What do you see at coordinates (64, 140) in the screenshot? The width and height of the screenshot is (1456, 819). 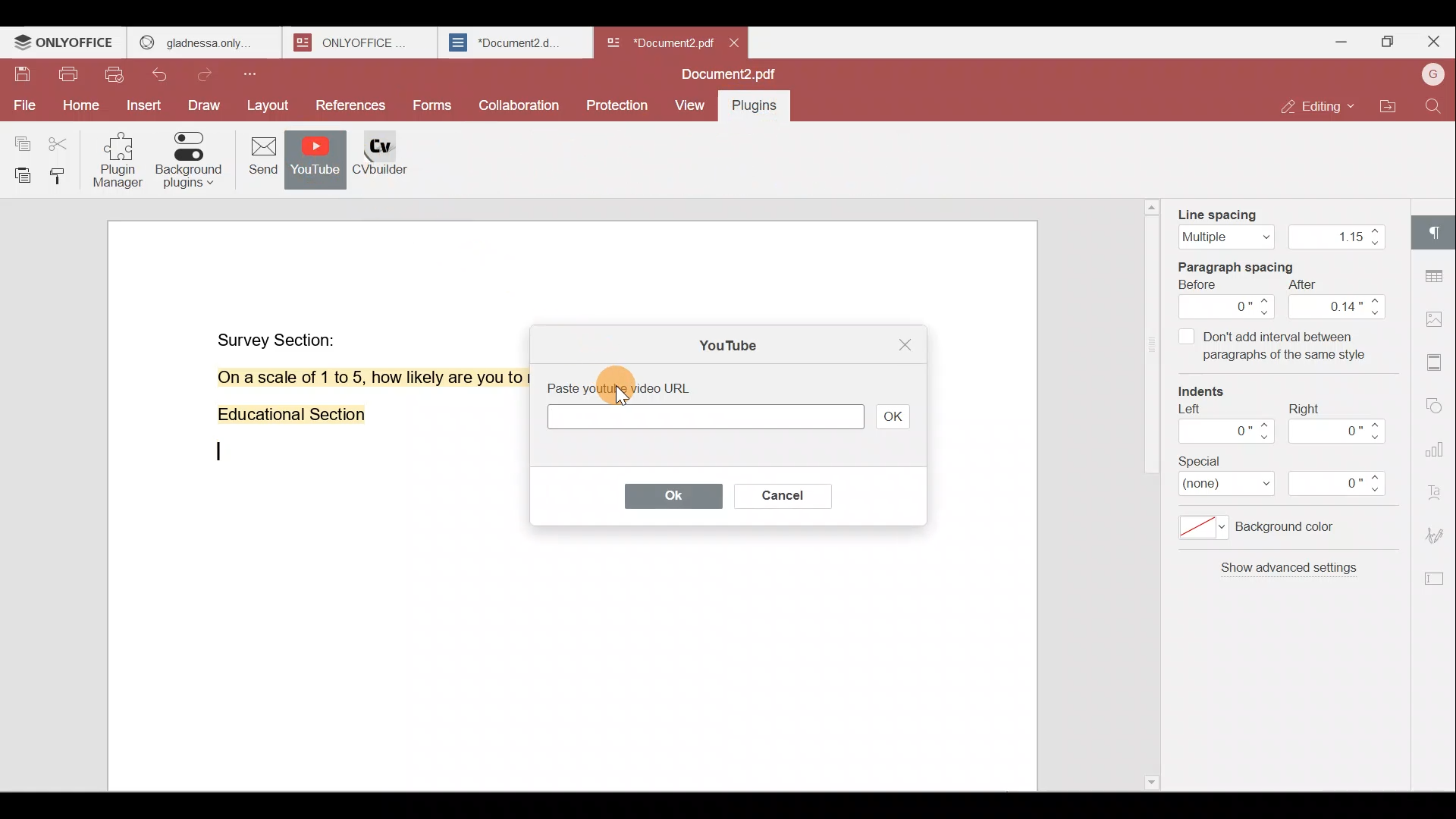 I see `Cut` at bounding box center [64, 140].